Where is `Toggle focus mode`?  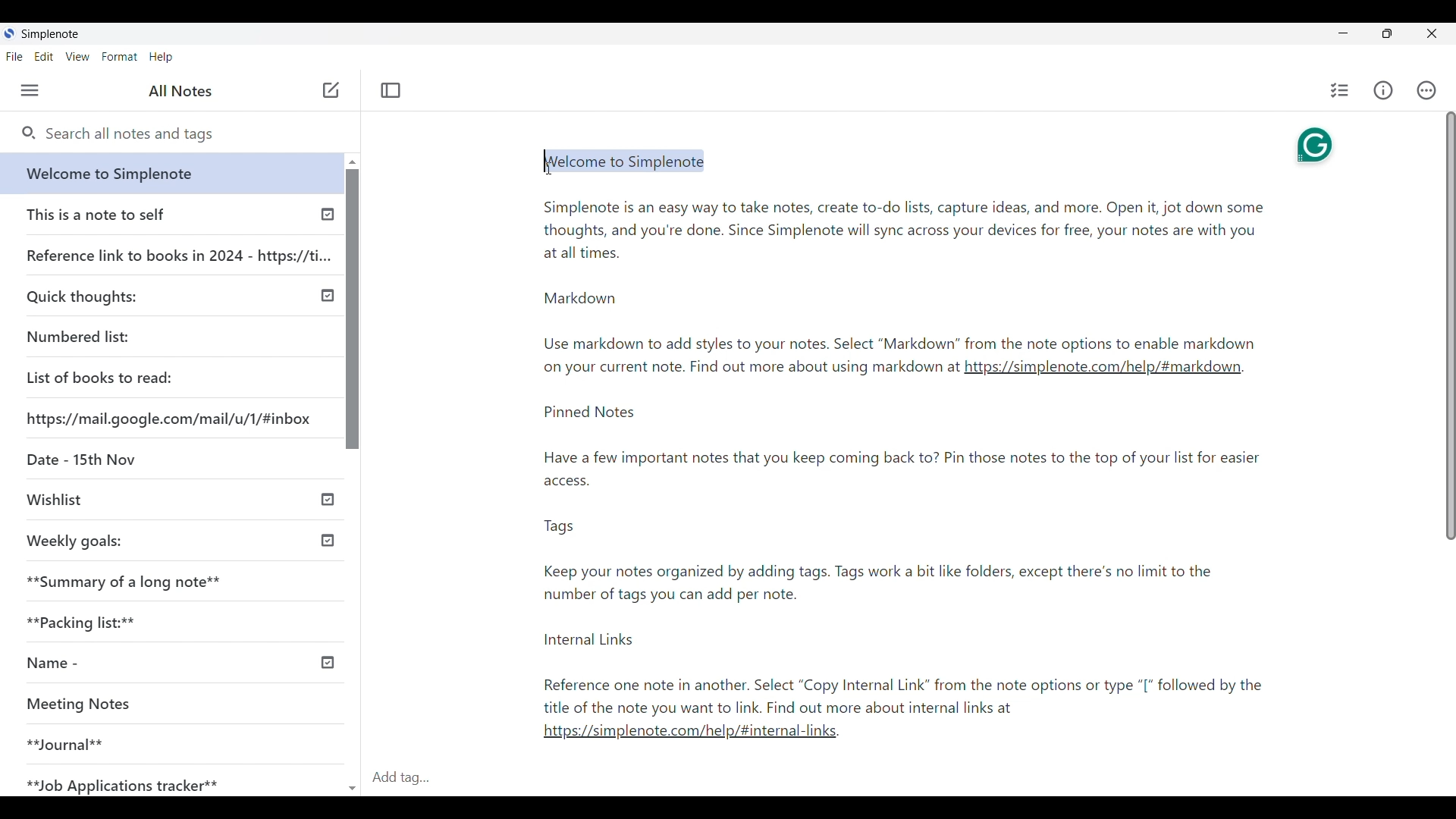 Toggle focus mode is located at coordinates (391, 90).